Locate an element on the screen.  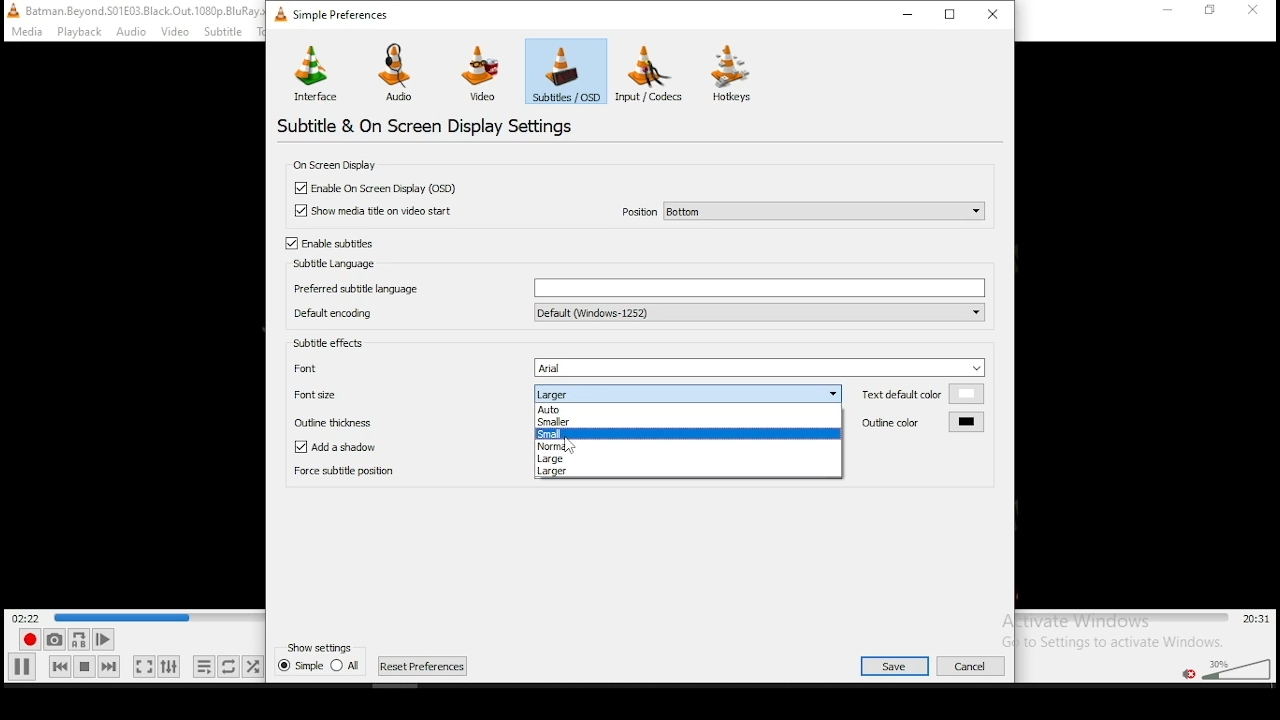
take a snapshot is located at coordinates (52, 640).